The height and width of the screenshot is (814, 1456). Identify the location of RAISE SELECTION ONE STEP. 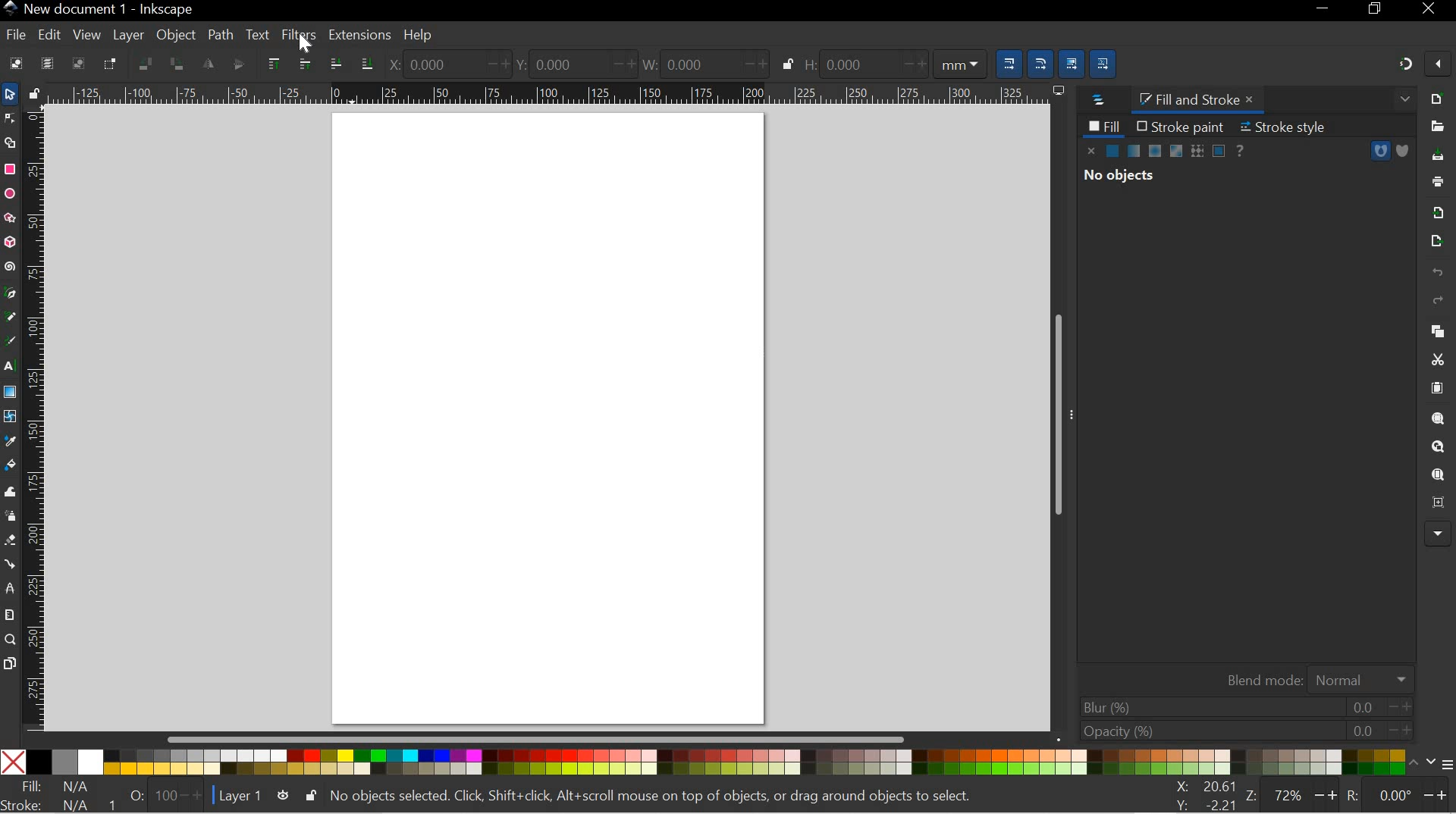
(303, 62).